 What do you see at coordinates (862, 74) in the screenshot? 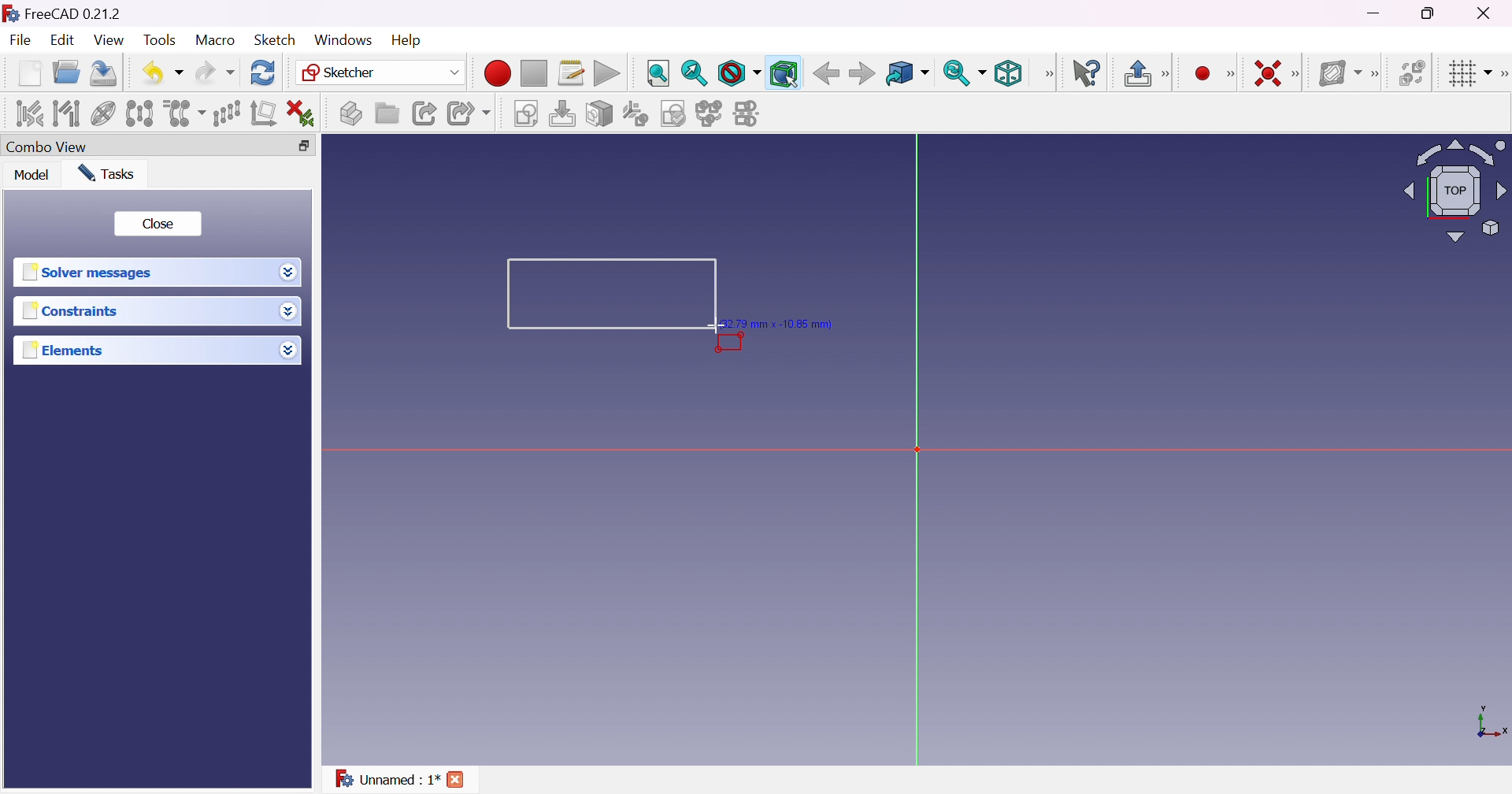
I see `Forward` at bounding box center [862, 74].